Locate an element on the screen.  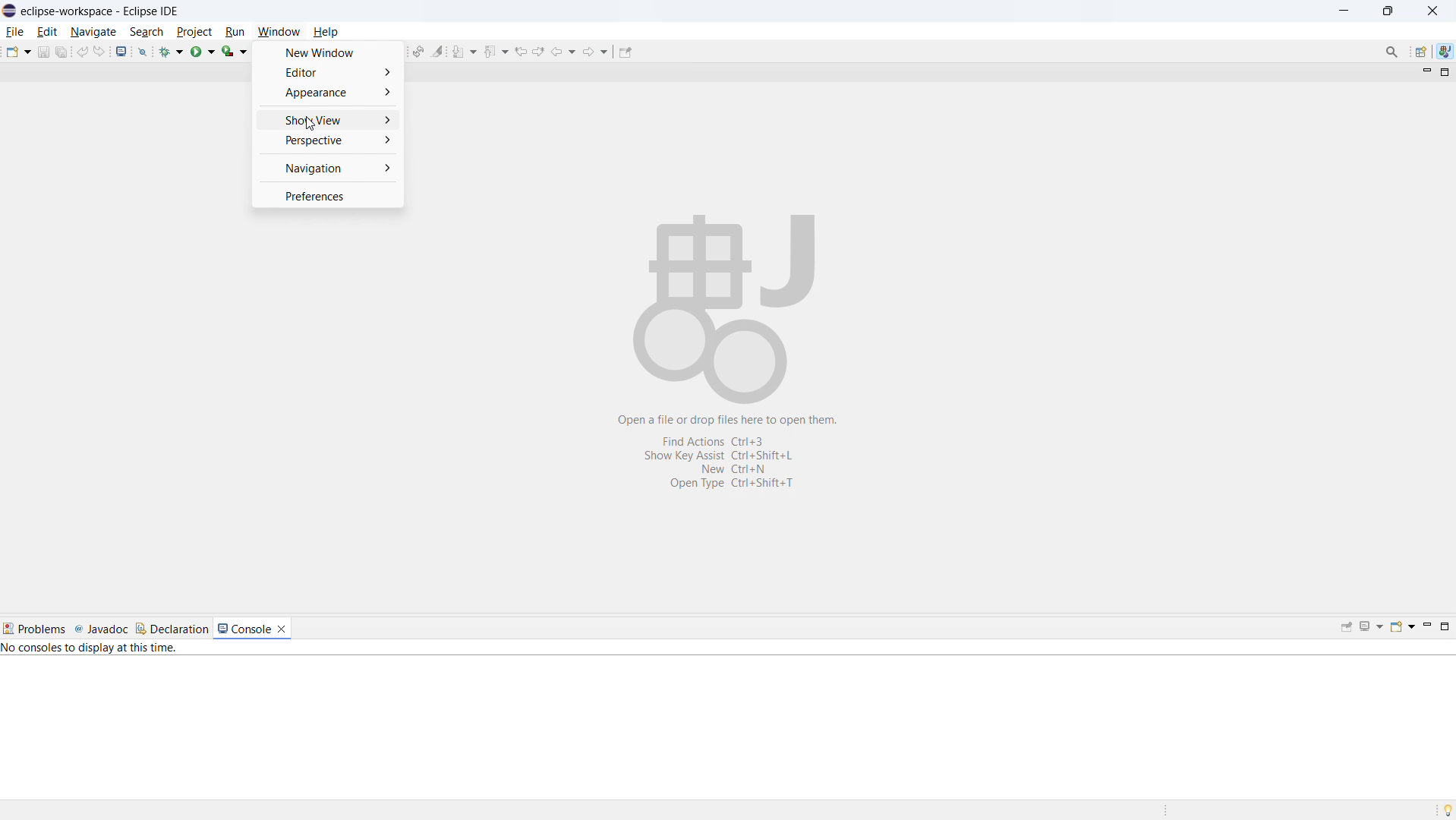
search is located at coordinates (147, 32).